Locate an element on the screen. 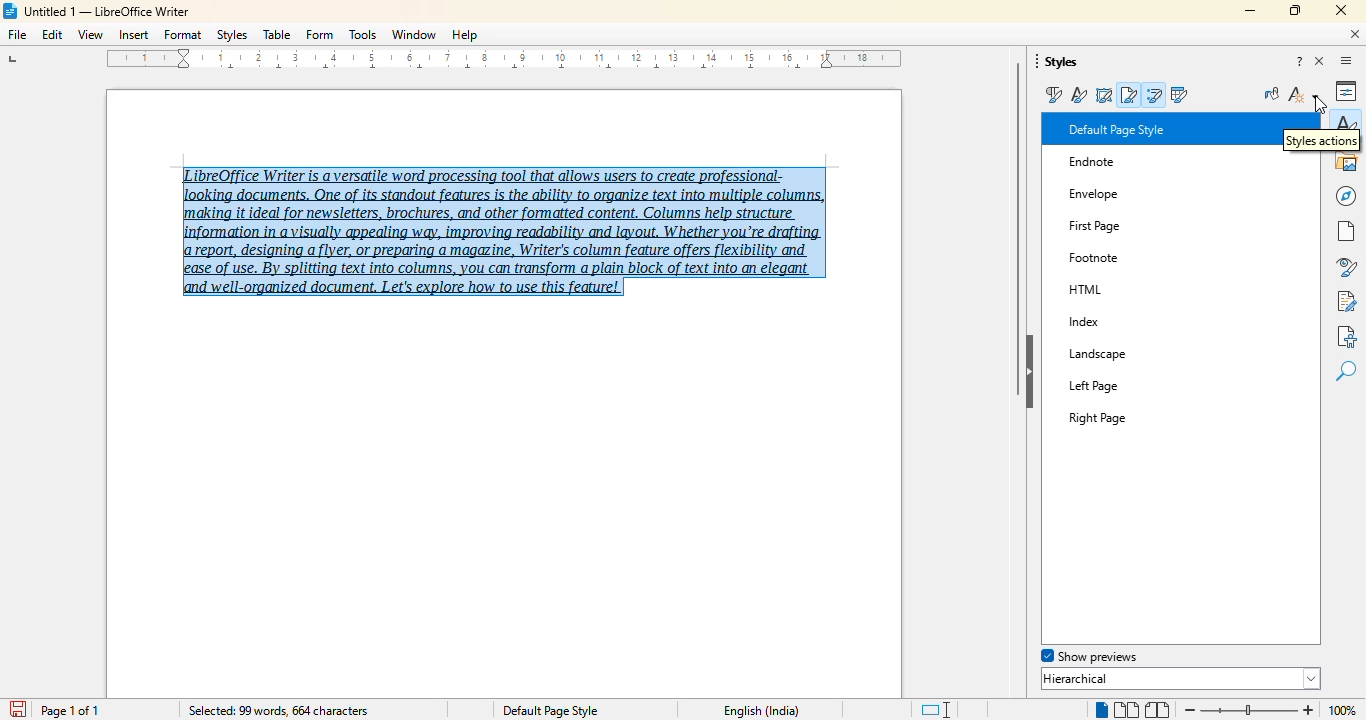 This screenshot has height=720, width=1366. character styles is located at coordinates (1080, 95).